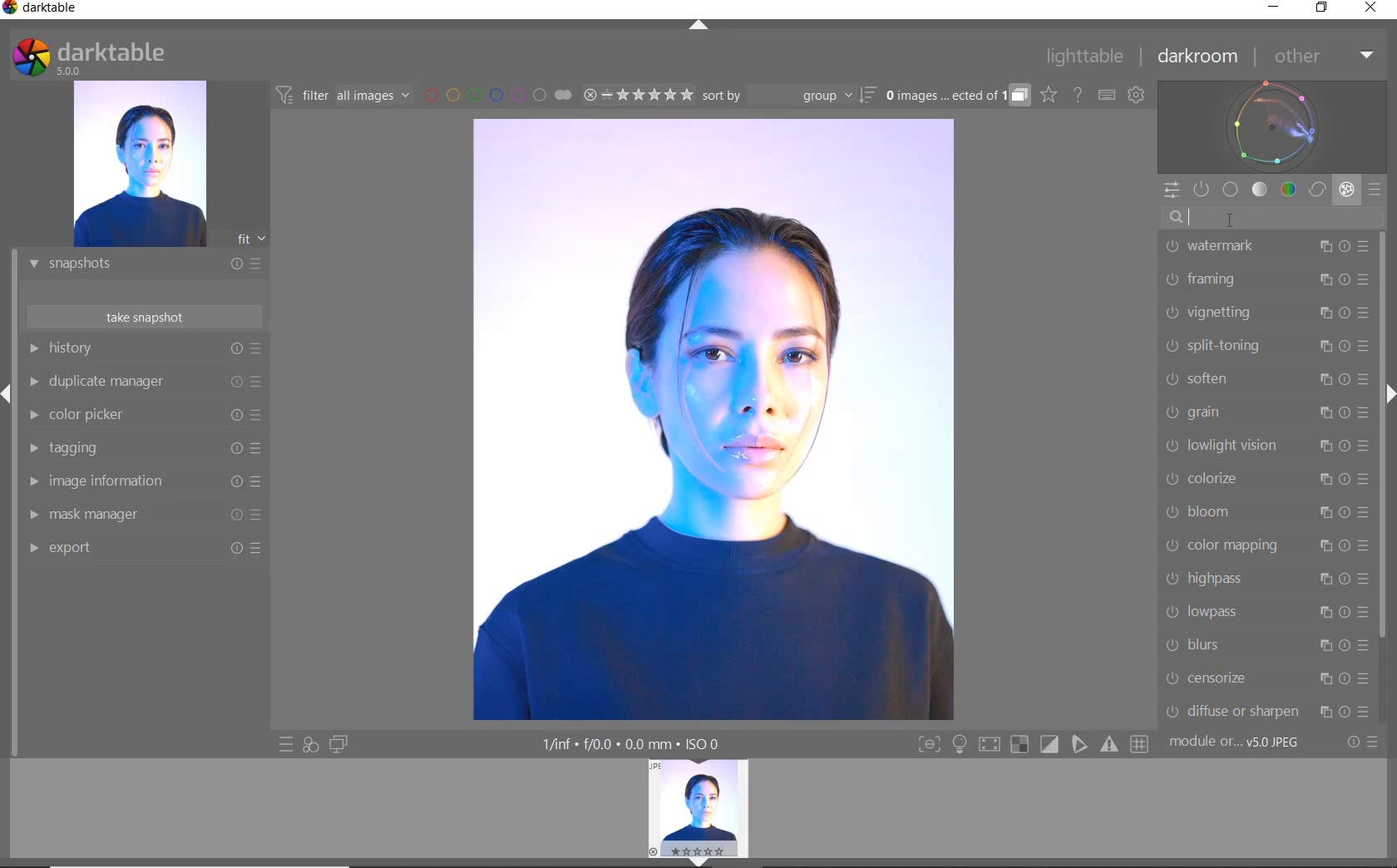  What do you see at coordinates (141, 449) in the screenshot?
I see `TAGGING` at bounding box center [141, 449].